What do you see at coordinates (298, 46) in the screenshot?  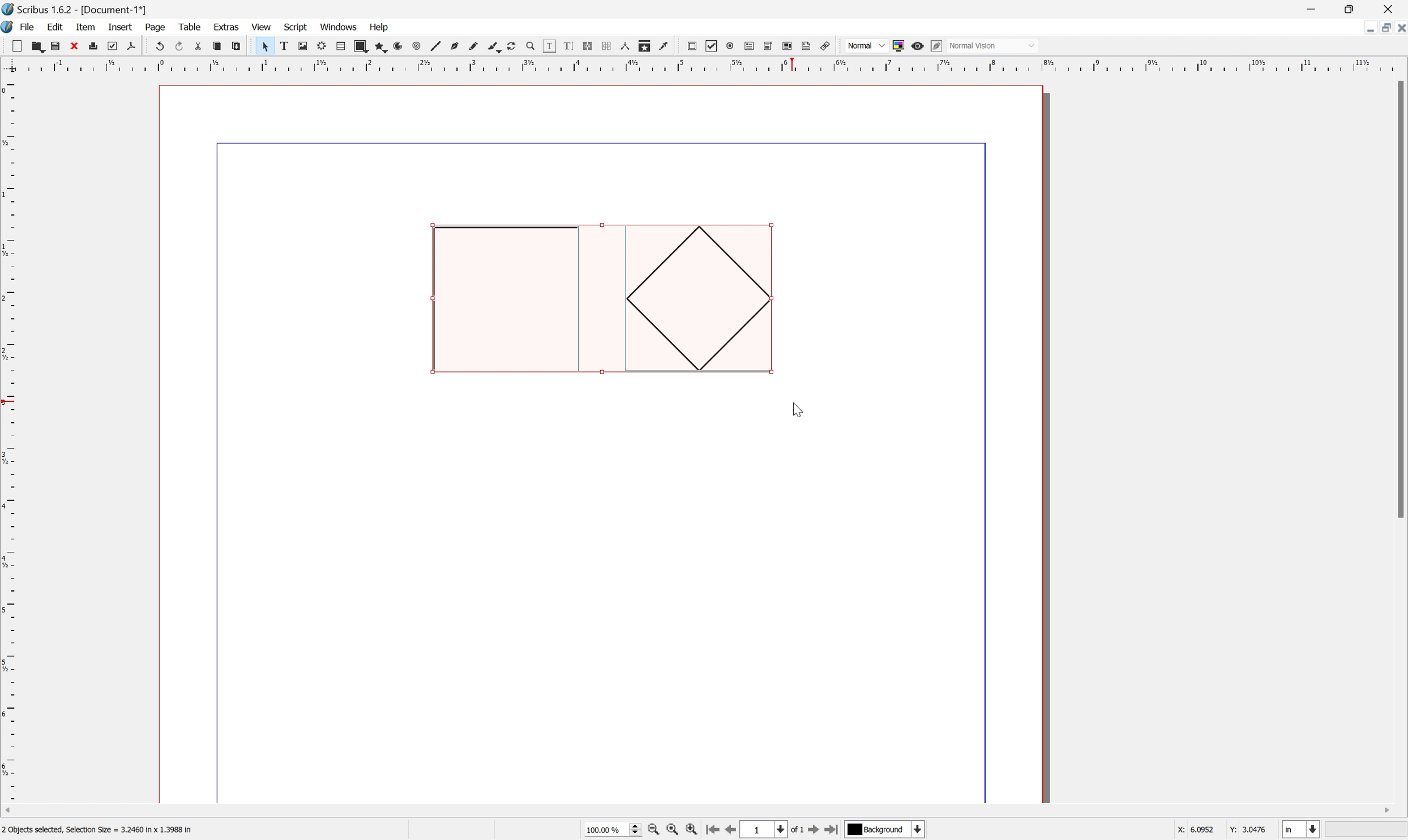 I see `image frame` at bounding box center [298, 46].